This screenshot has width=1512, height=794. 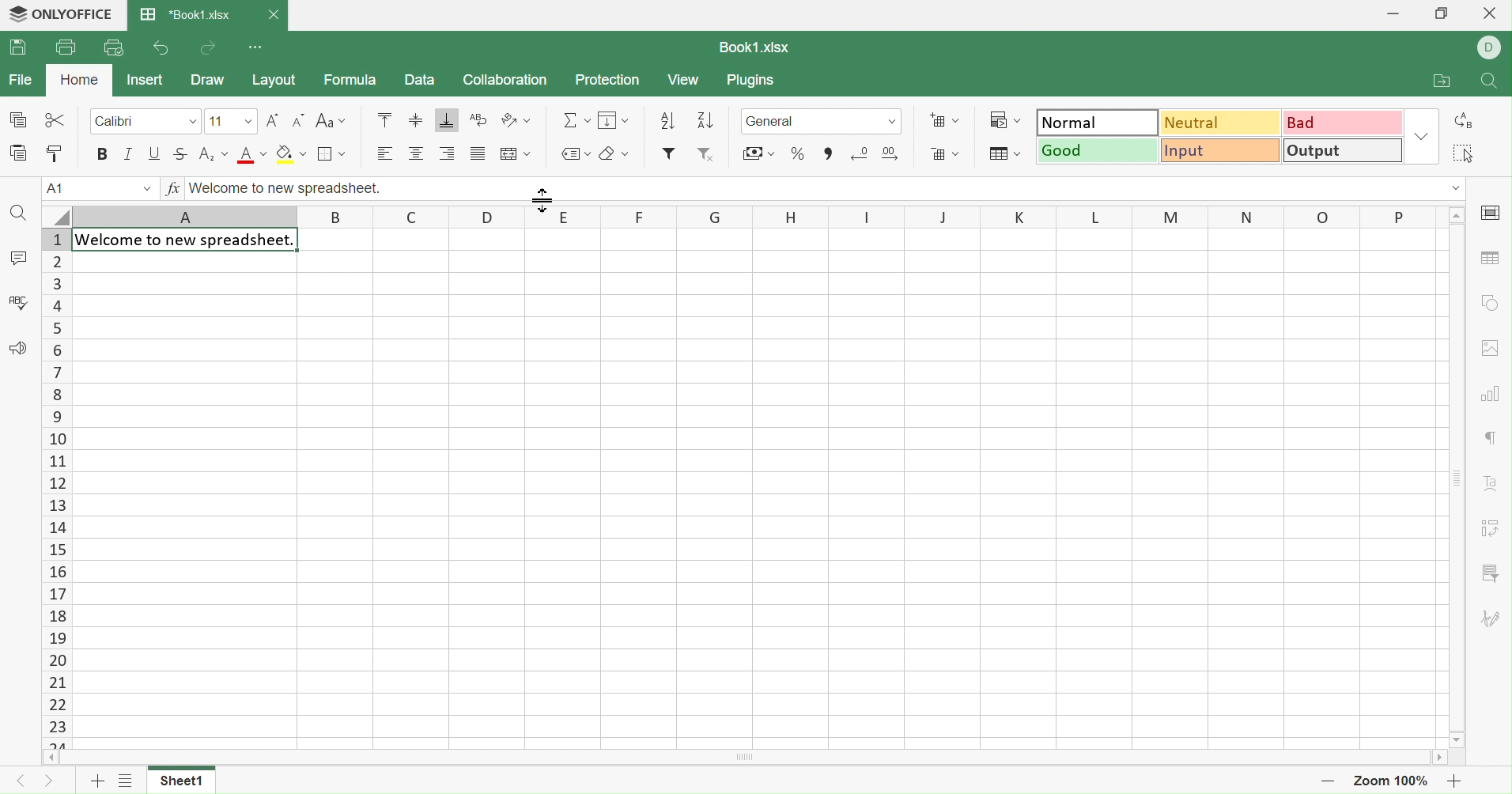 What do you see at coordinates (758, 152) in the screenshot?
I see `Accounting style` at bounding box center [758, 152].